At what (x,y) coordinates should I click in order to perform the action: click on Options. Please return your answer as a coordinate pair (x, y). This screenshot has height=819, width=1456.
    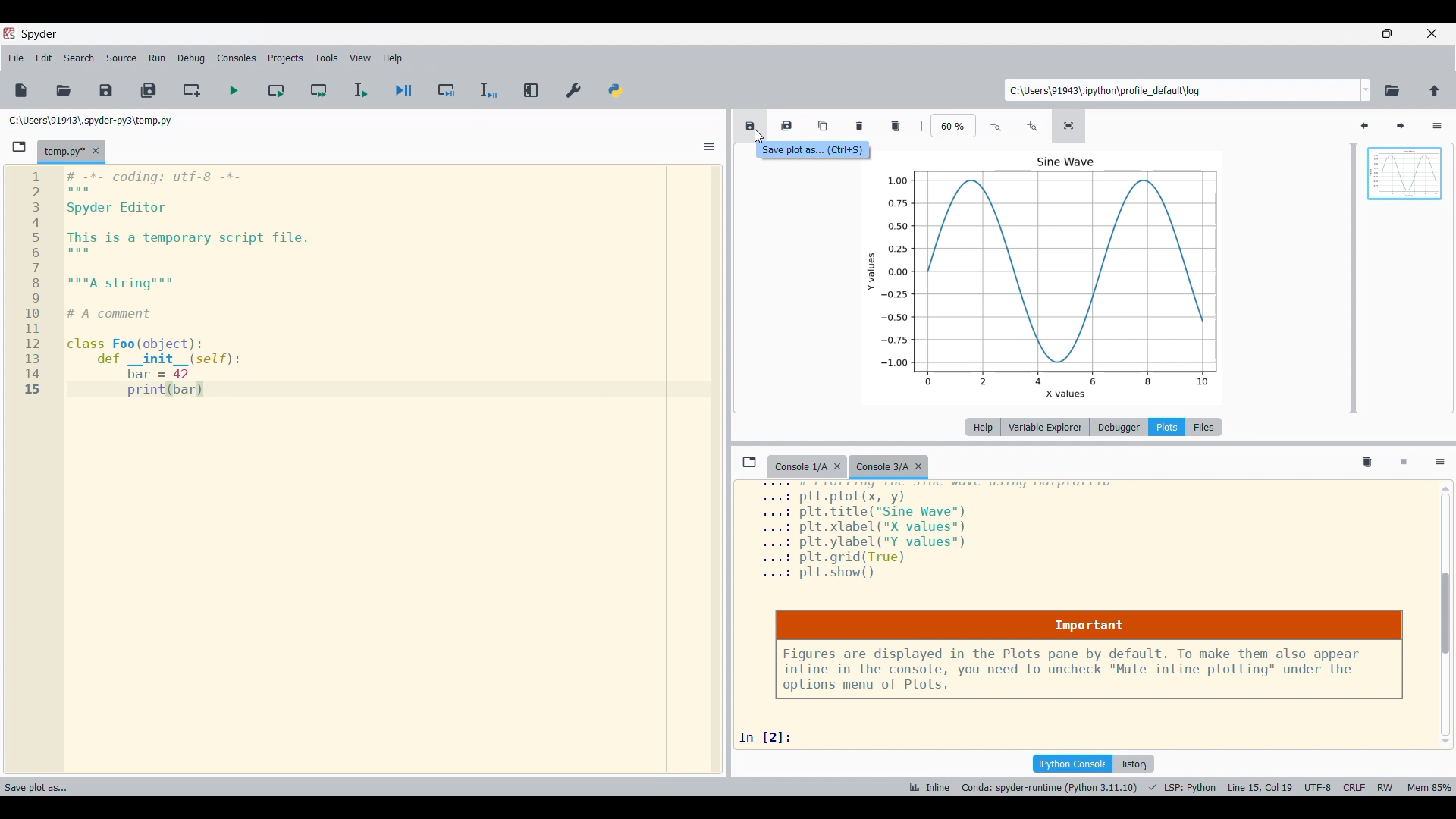
    Looking at the image, I should click on (710, 146).